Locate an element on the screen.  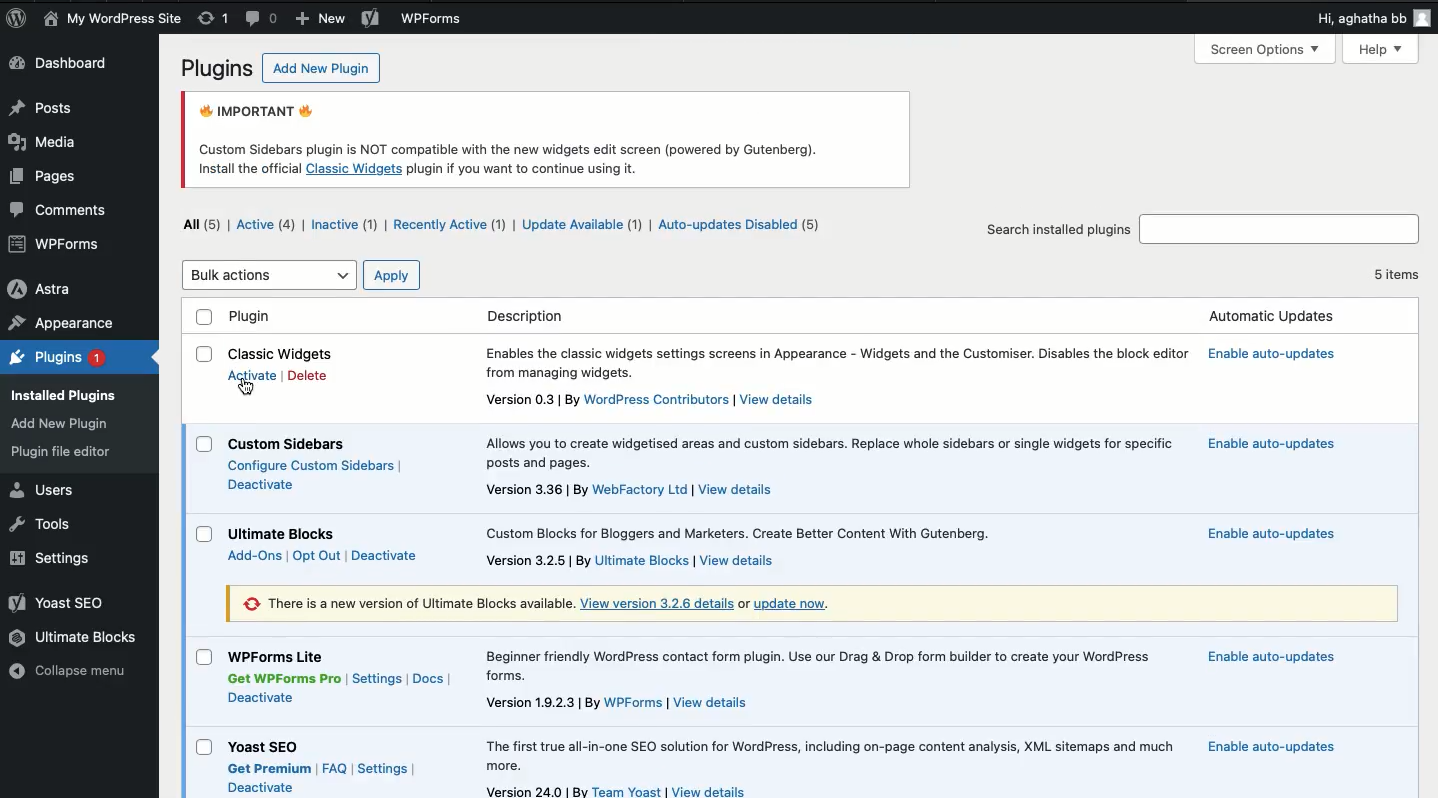
Plugins is located at coordinates (56, 359).